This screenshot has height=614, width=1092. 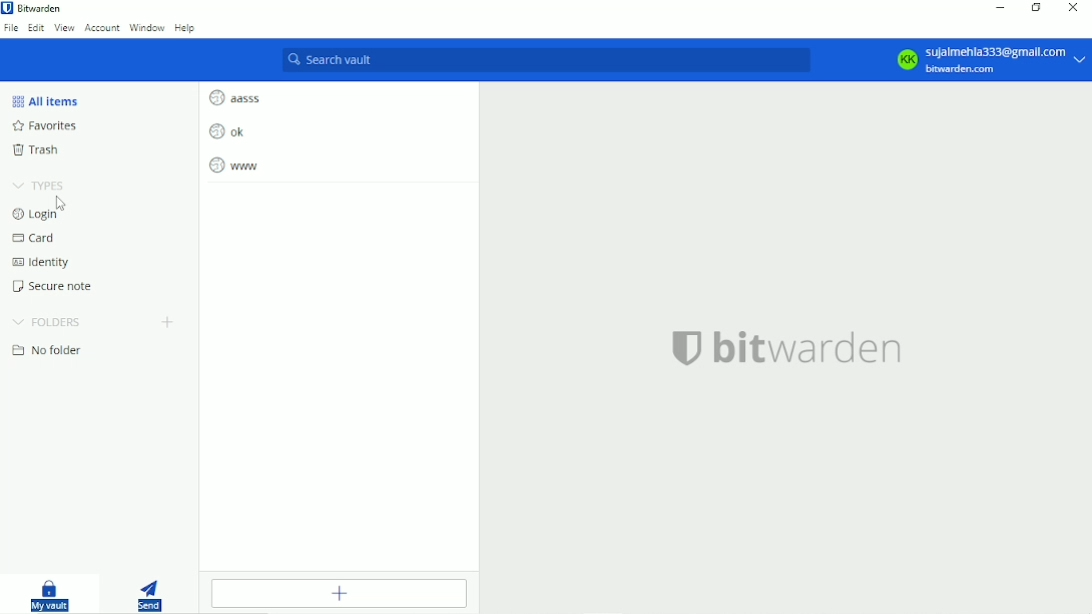 I want to click on Card, so click(x=36, y=238).